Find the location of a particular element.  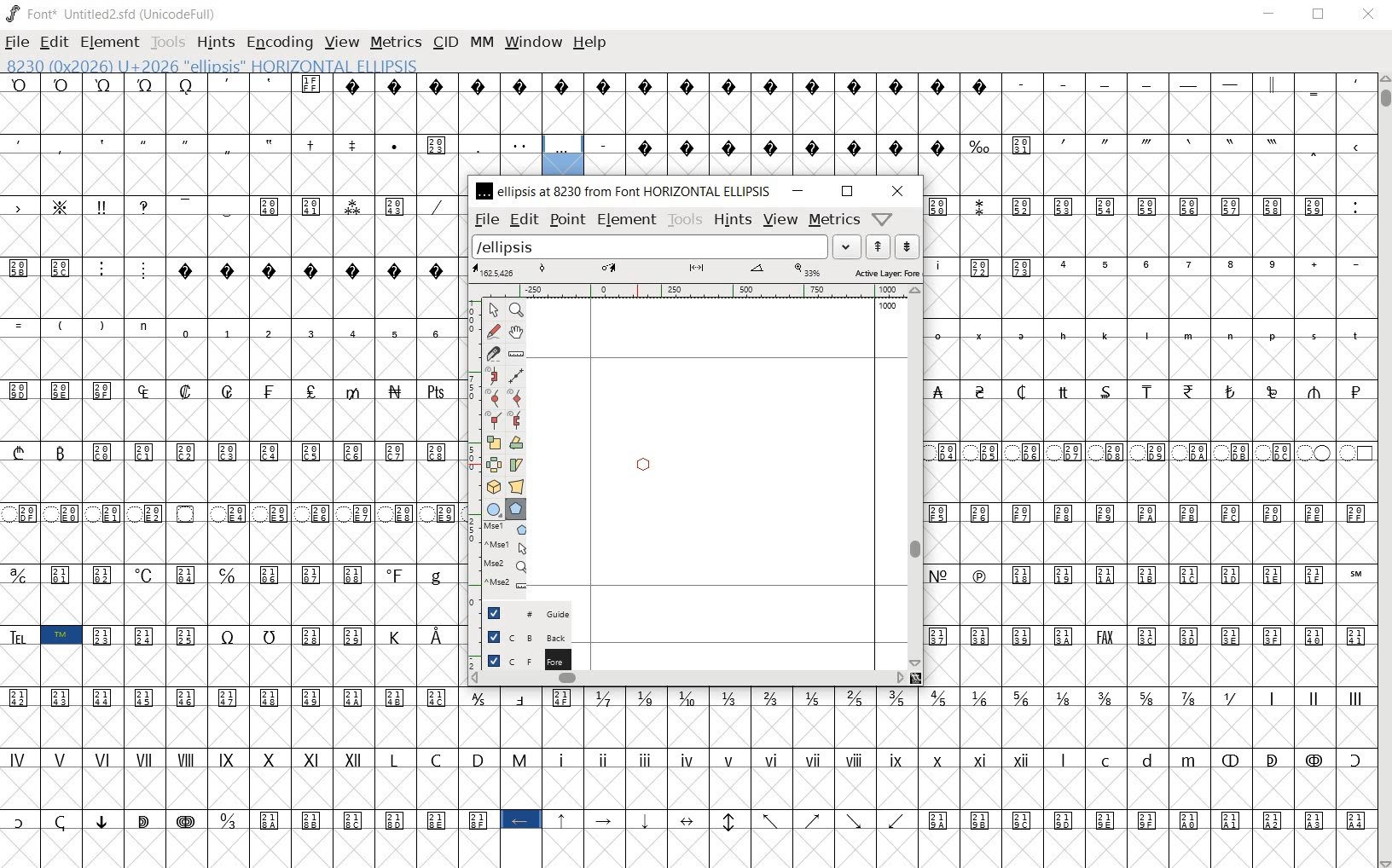

add a curve point is located at coordinates (493, 396).